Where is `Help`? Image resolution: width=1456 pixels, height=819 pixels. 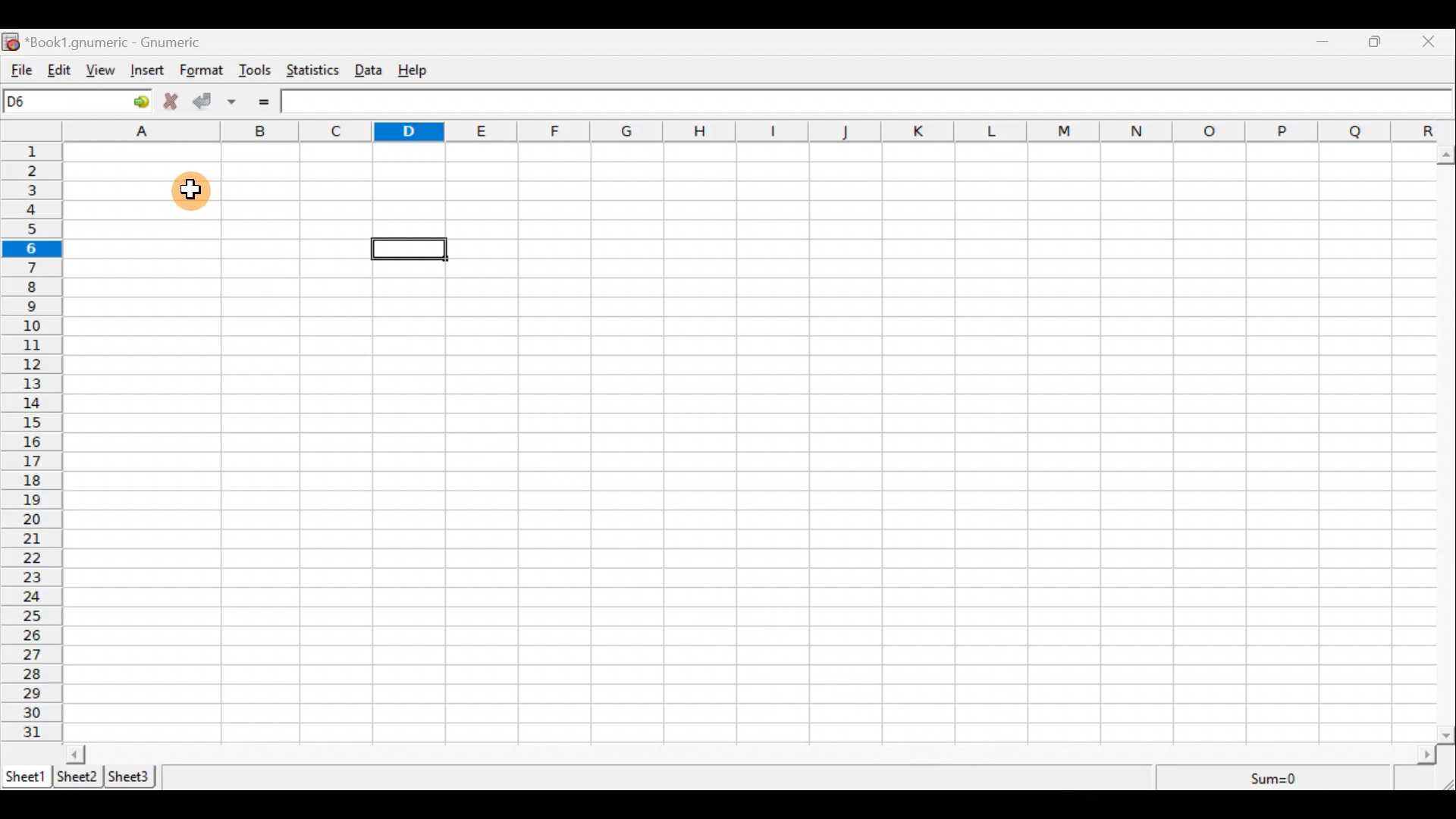
Help is located at coordinates (420, 71).